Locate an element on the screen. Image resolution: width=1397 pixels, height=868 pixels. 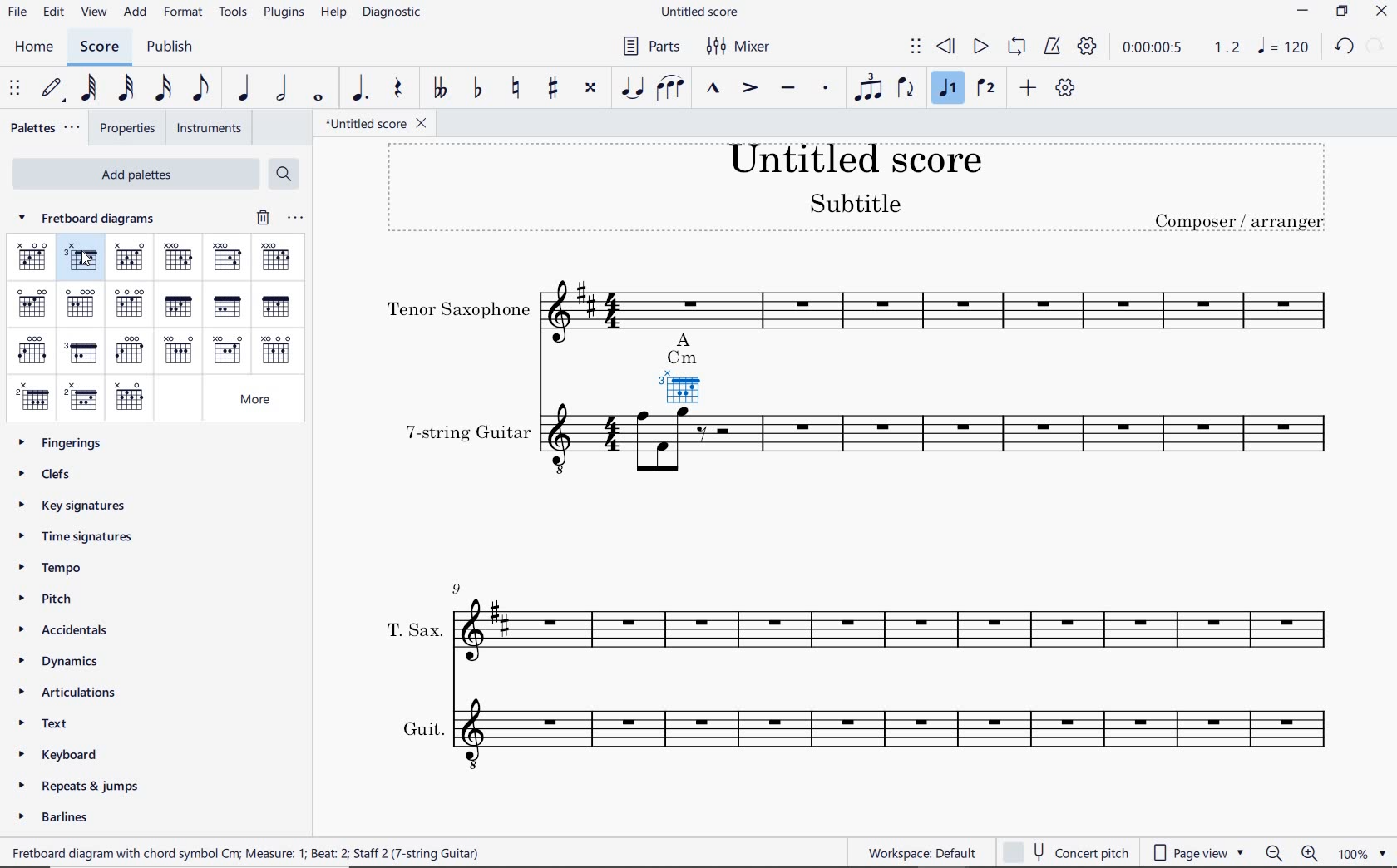
ACCIDENTALS is located at coordinates (76, 633).